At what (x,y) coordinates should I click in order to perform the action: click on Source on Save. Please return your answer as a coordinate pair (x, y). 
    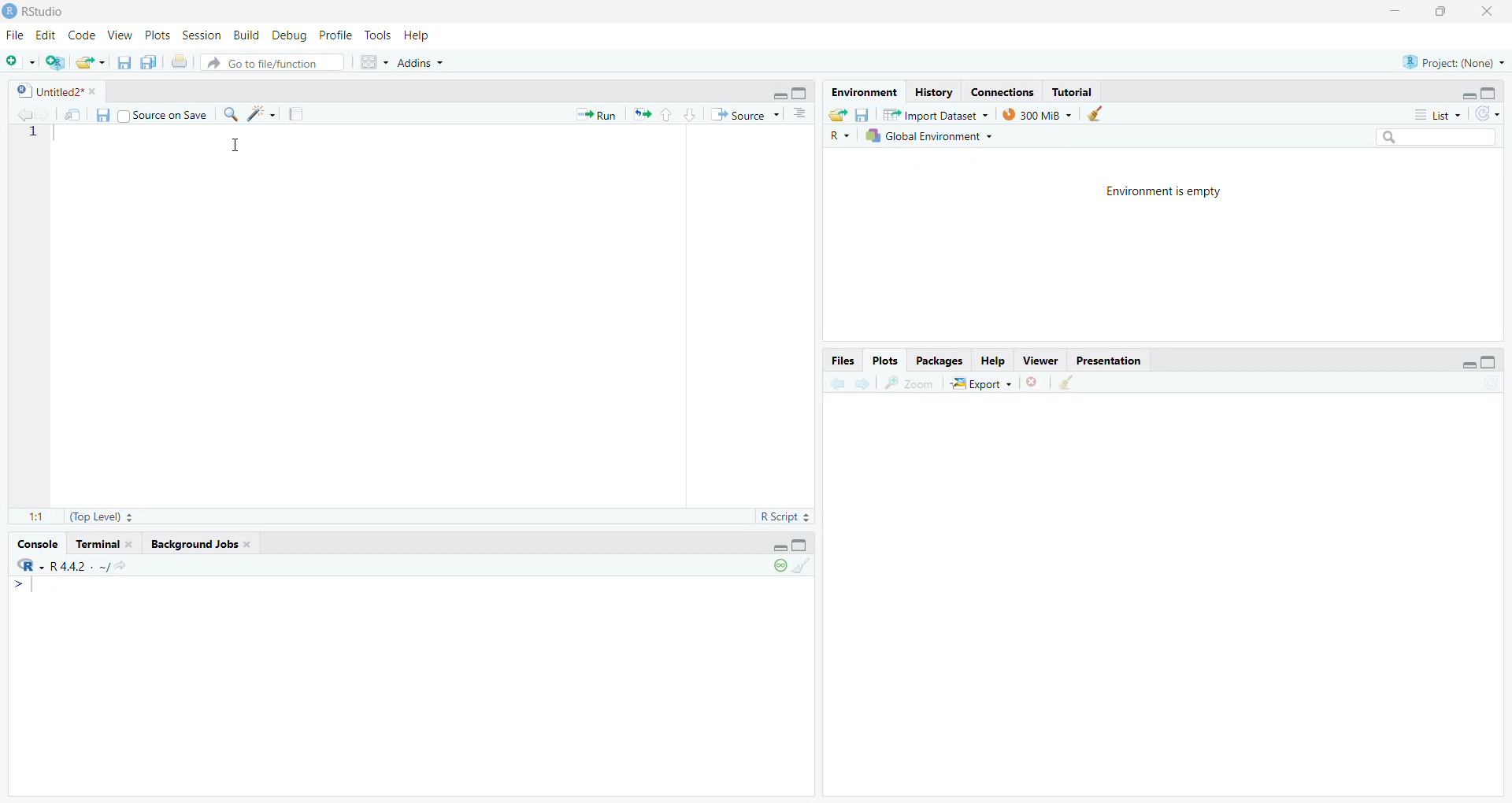
    Looking at the image, I should click on (162, 116).